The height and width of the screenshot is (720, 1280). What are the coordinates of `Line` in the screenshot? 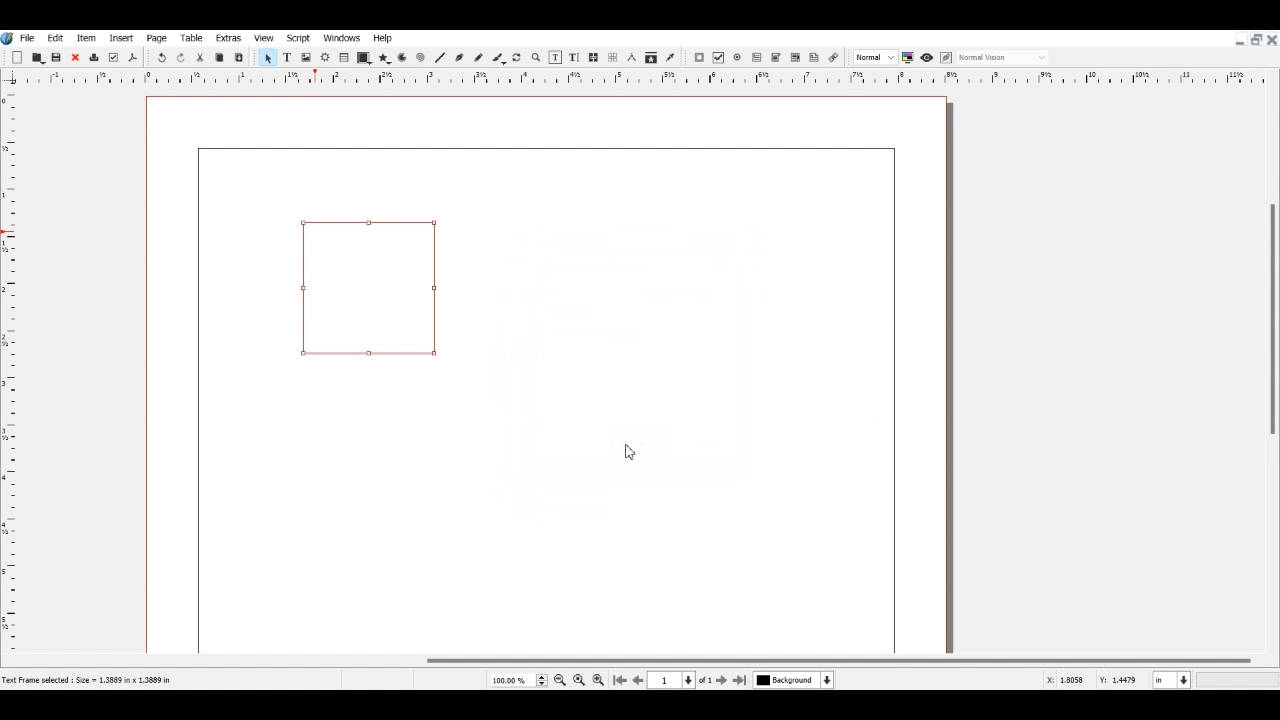 It's located at (440, 57).